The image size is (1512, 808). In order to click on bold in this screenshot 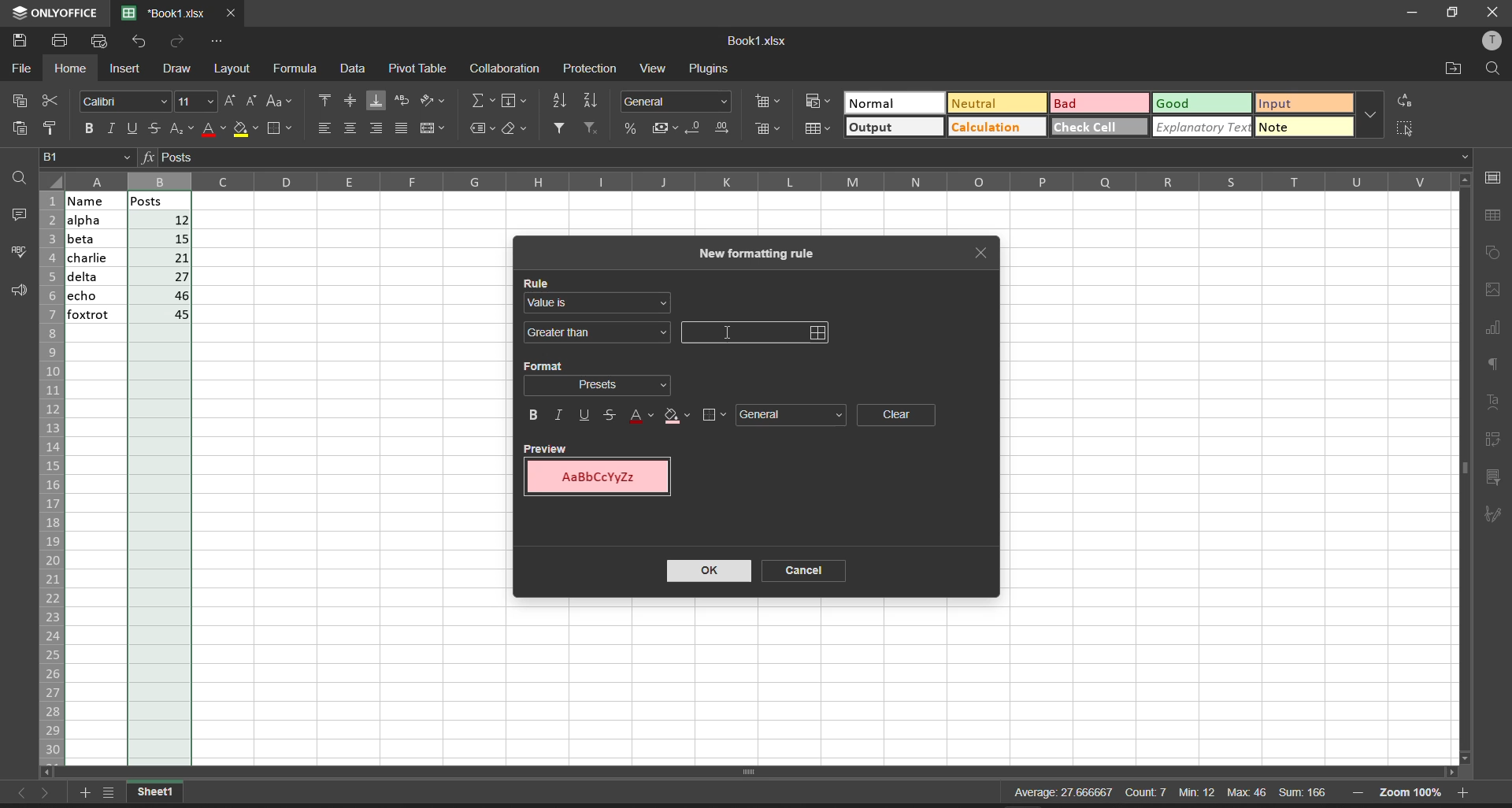, I will do `click(528, 416)`.